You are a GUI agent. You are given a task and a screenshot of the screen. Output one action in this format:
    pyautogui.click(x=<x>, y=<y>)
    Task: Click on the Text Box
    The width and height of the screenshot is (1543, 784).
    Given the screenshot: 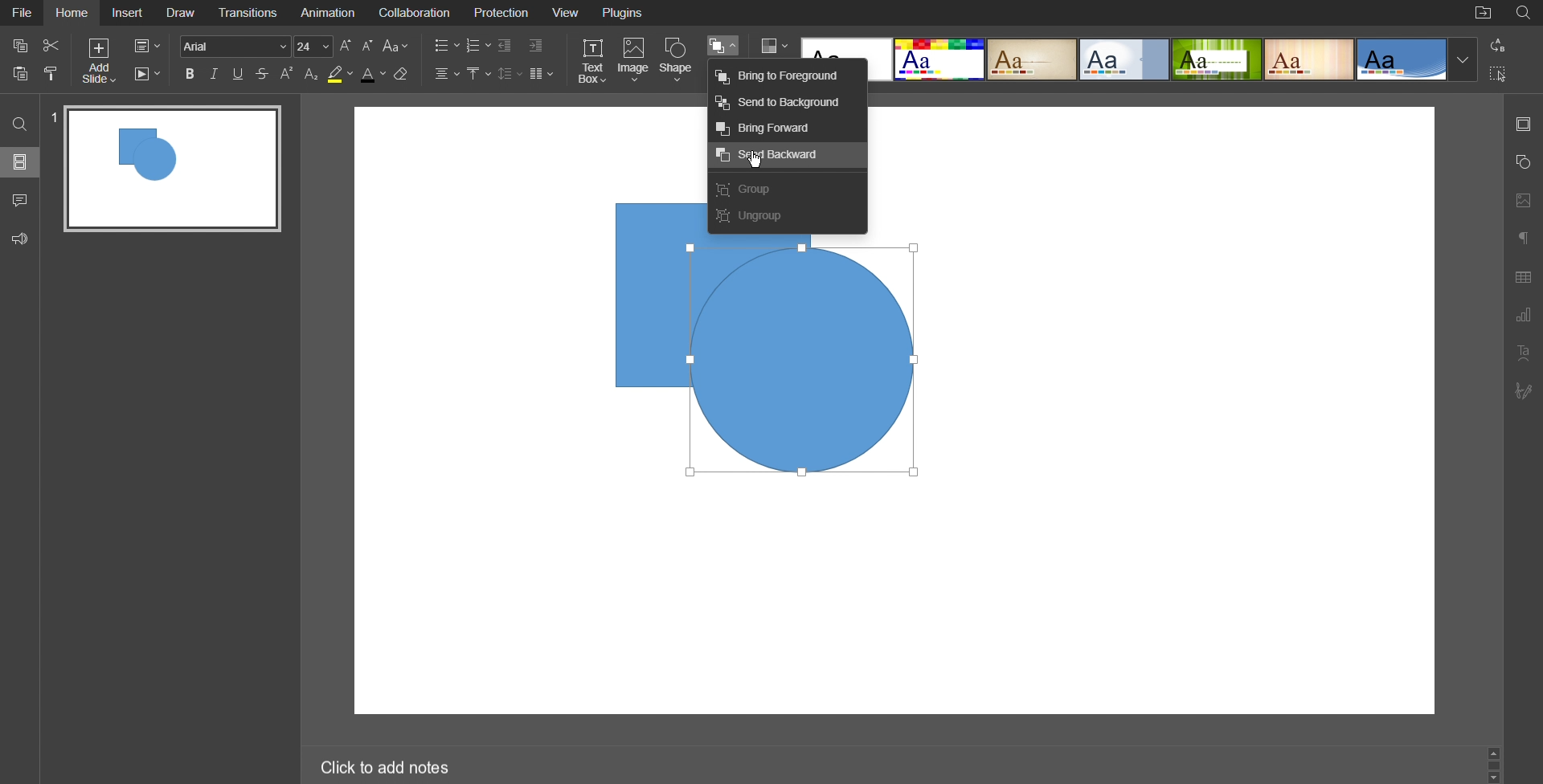 What is the action you would take?
    pyautogui.click(x=591, y=62)
    